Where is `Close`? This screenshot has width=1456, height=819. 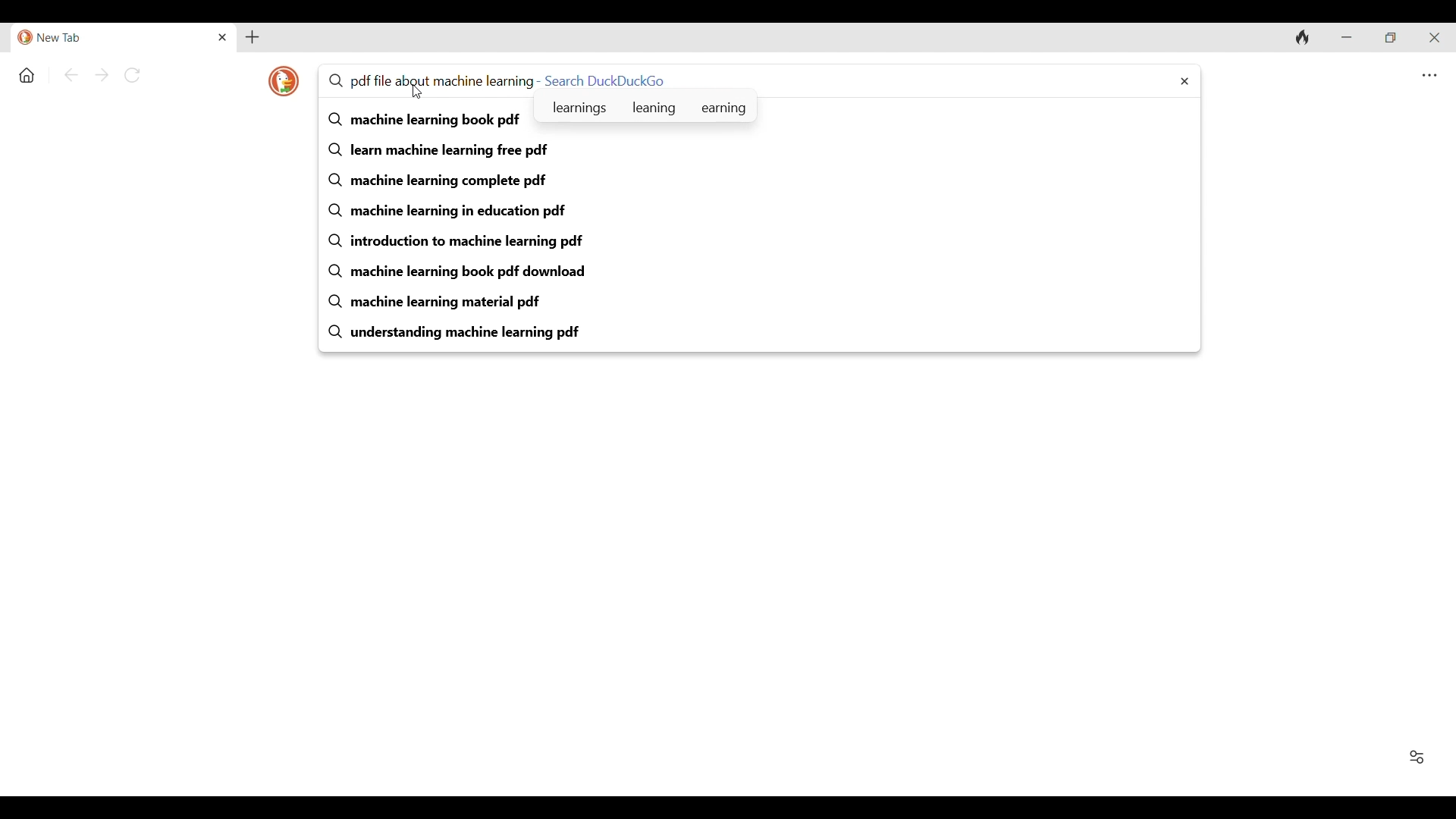
Close is located at coordinates (223, 37).